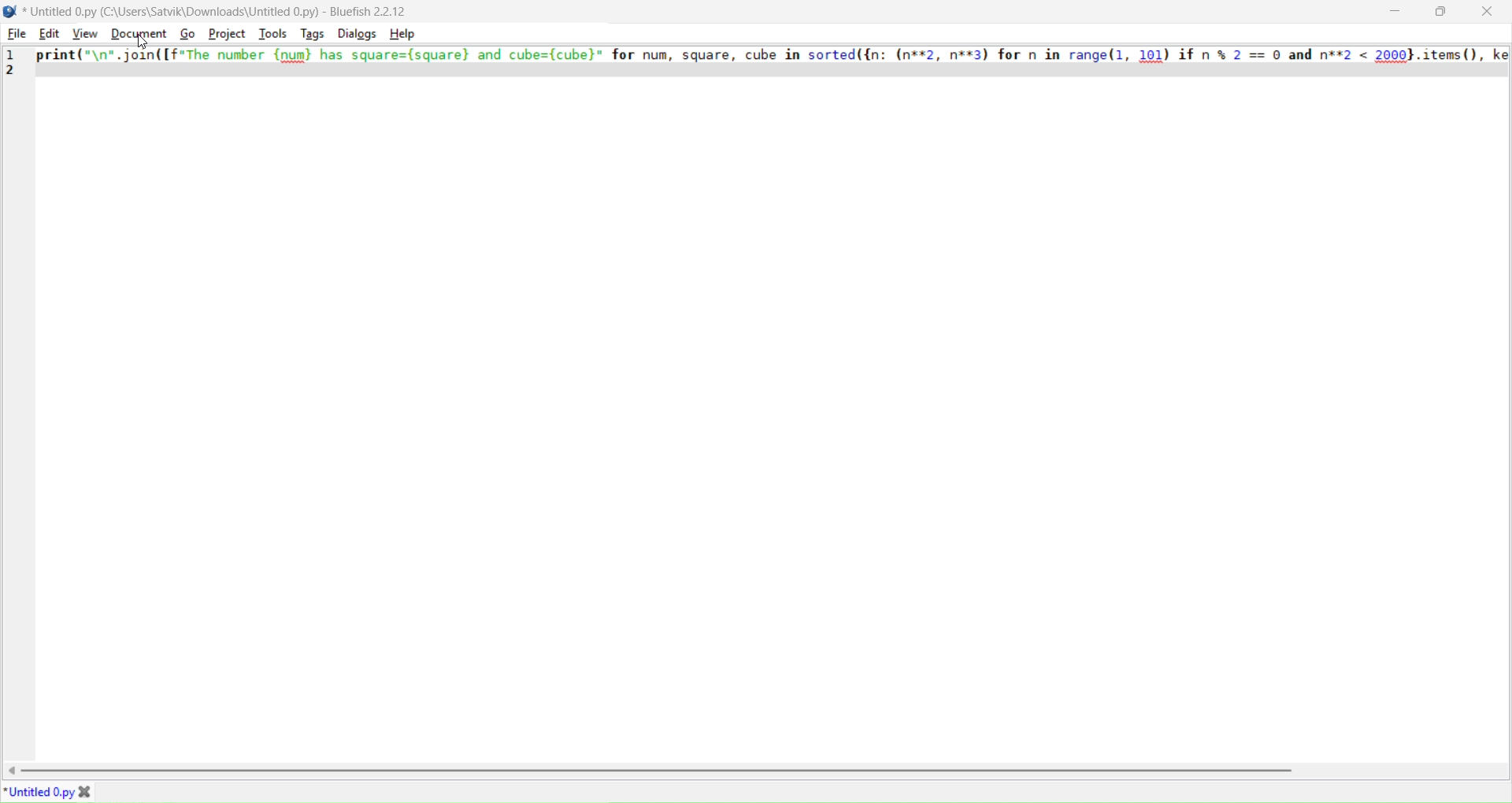  Describe the element at coordinates (10, 12) in the screenshot. I see `logo` at that location.